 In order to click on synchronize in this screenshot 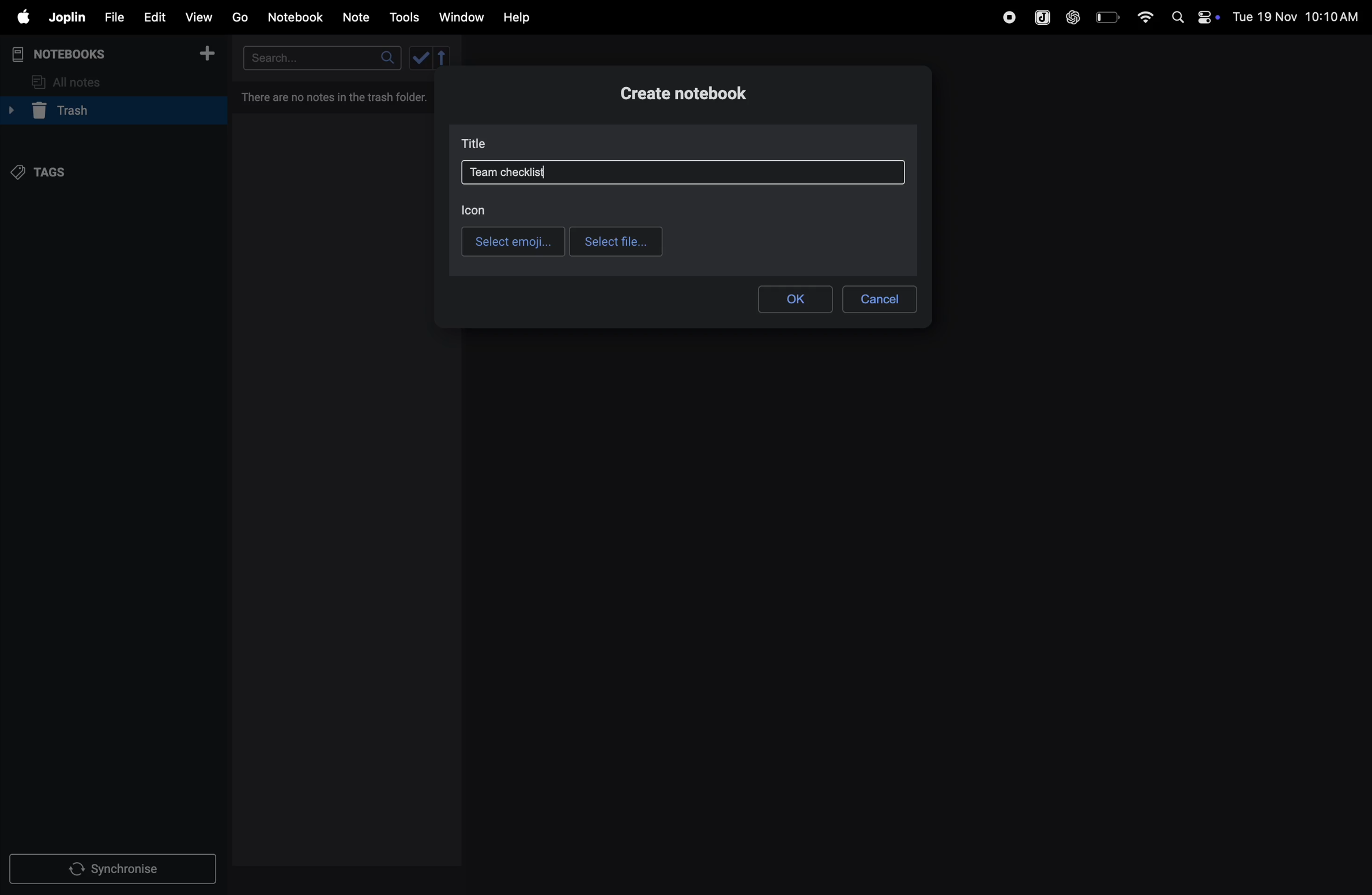, I will do `click(115, 868)`.